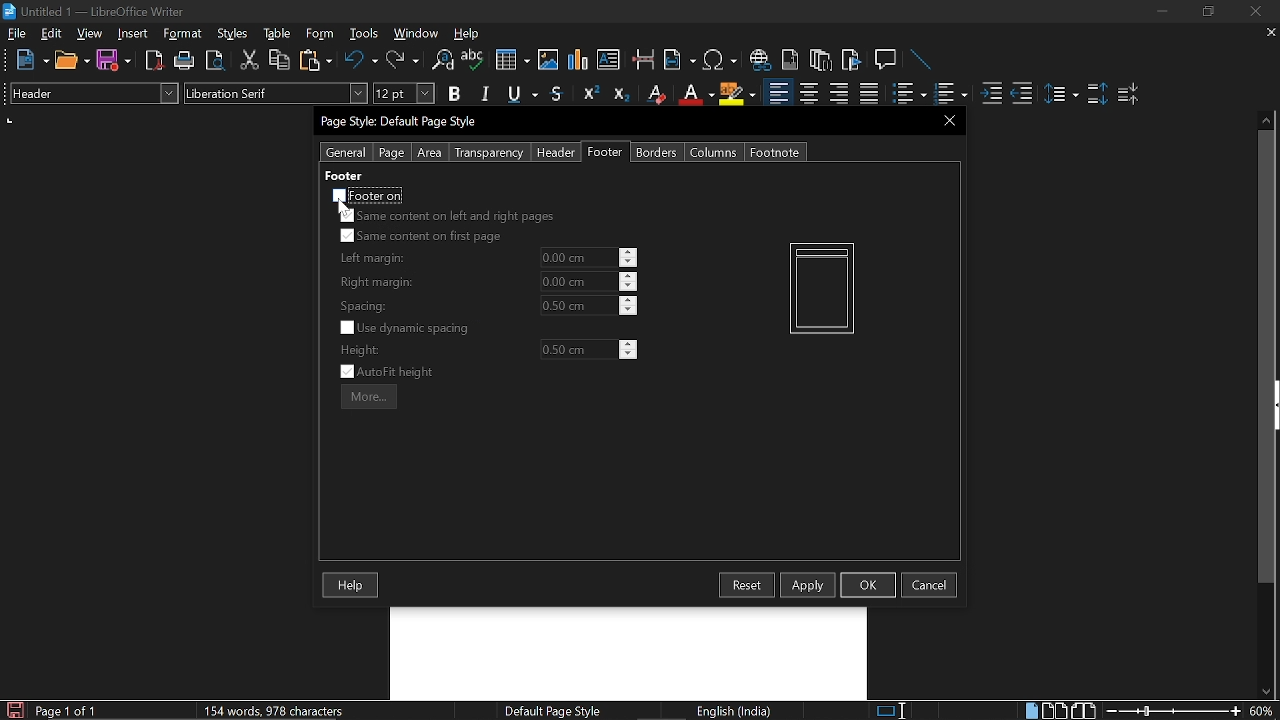 The width and height of the screenshot is (1280, 720). What do you see at coordinates (1162, 14) in the screenshot?
I see `Minimize` at bounding box center [1162, 14].